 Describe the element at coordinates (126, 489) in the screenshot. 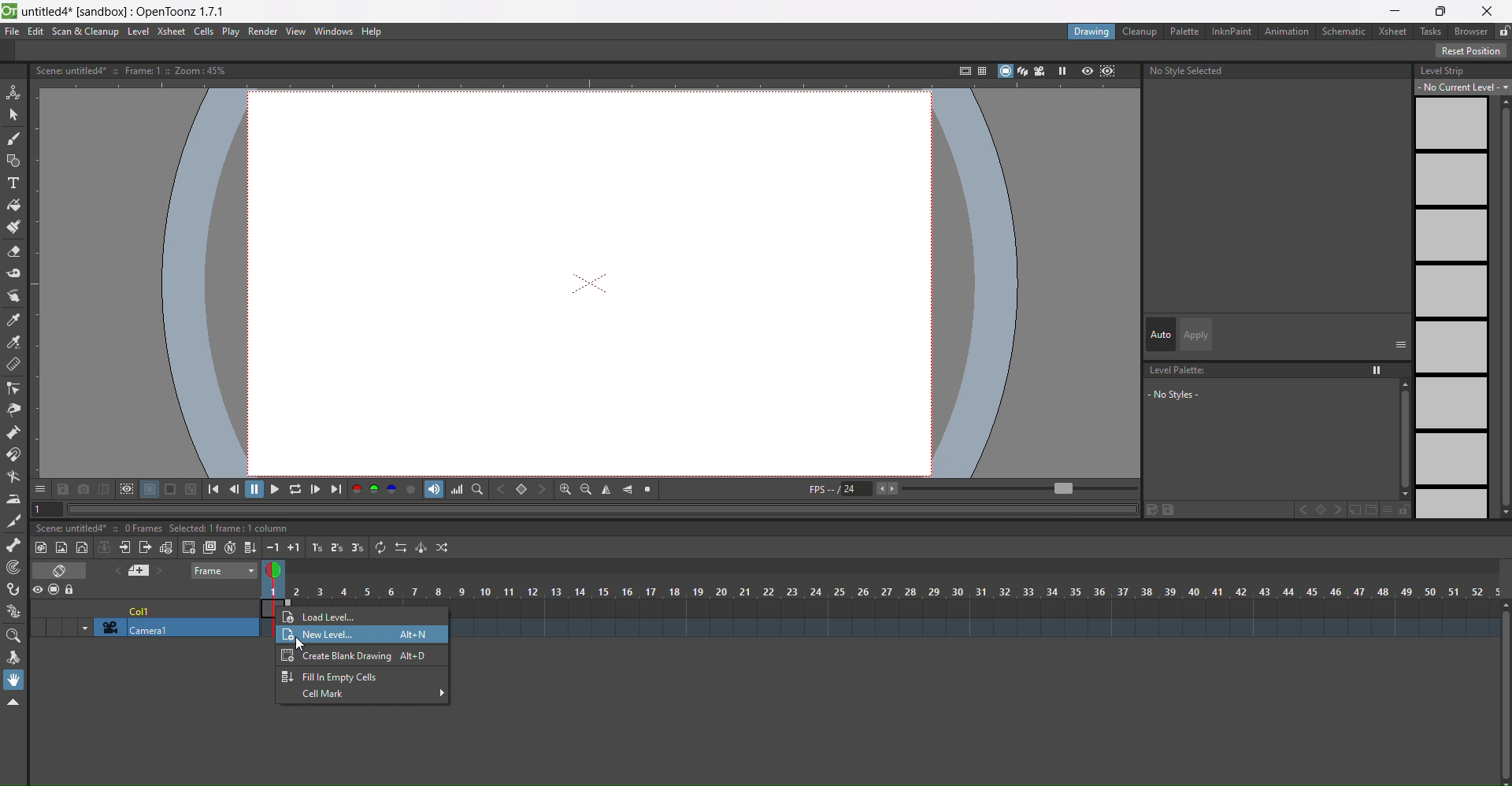

I see `tool` at that location.